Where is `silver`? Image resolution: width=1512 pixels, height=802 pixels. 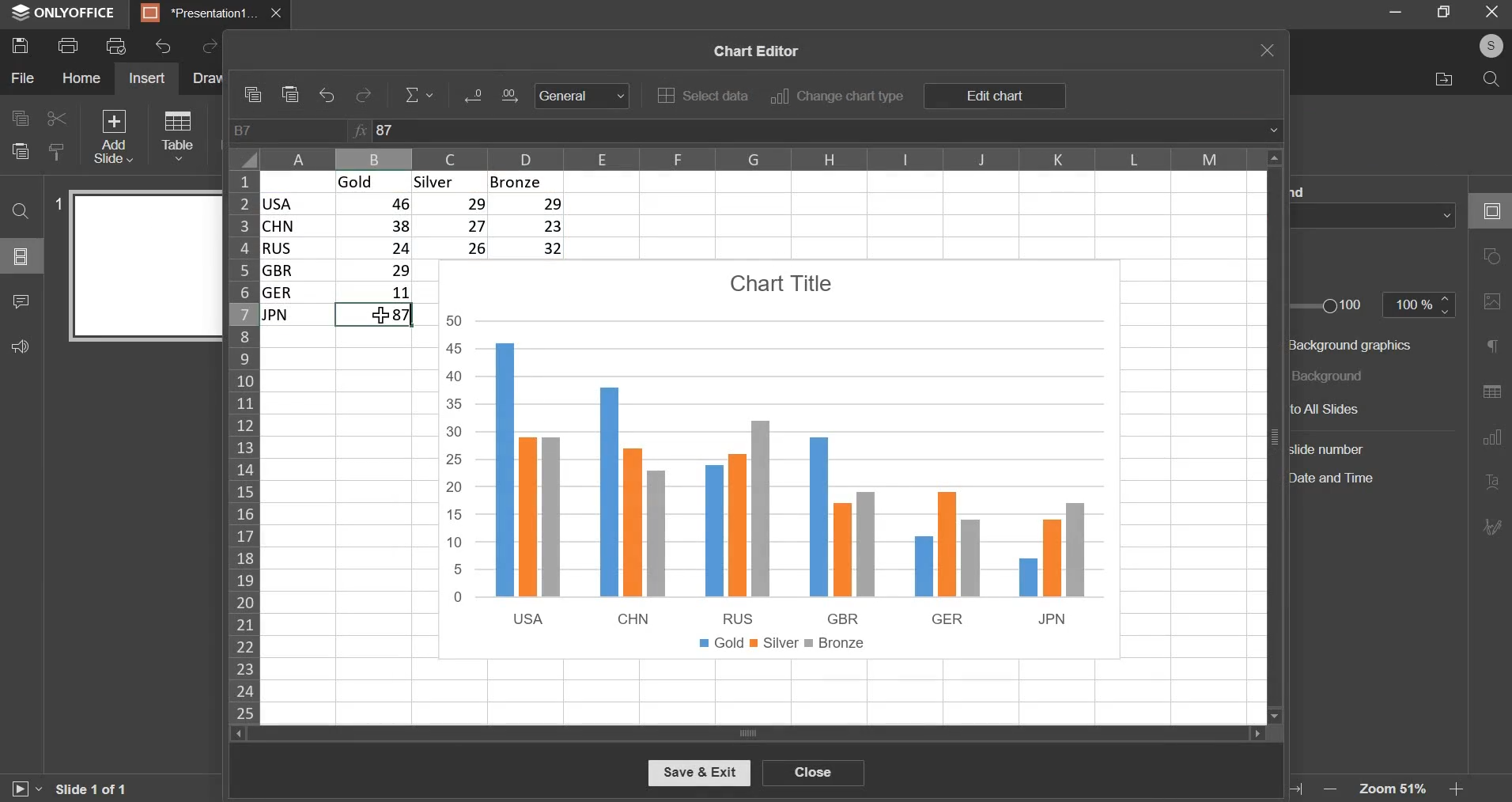
silver is located at coordinates (444, 181).